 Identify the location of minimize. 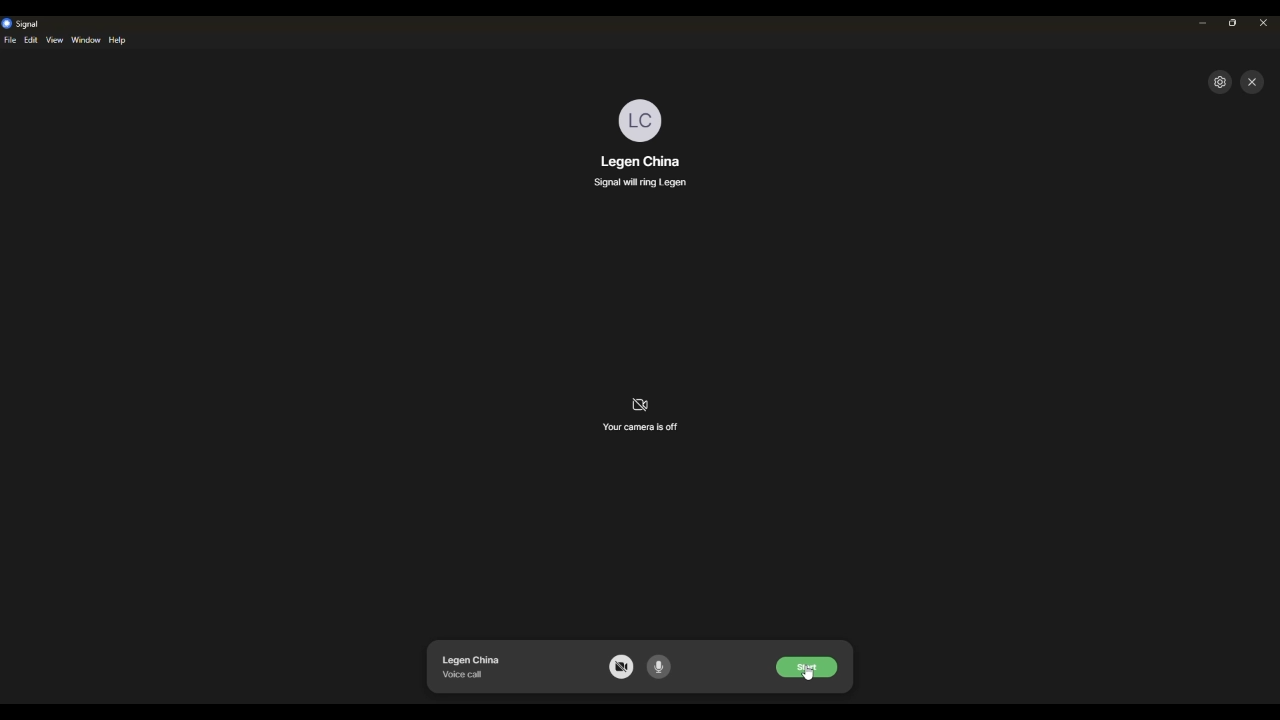
(1203, 23).